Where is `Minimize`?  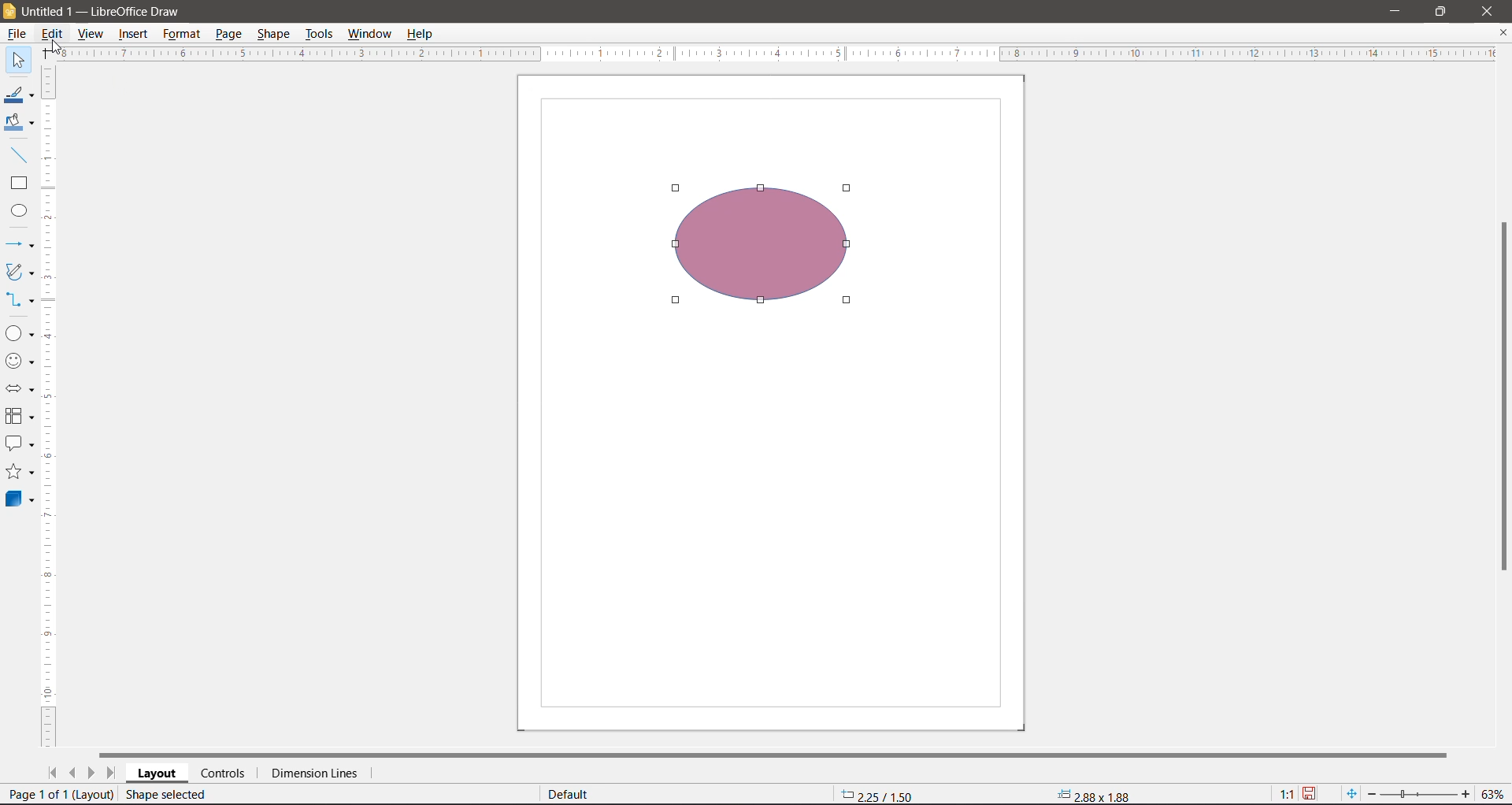
Minimize is located at coordinates (1396, 12).